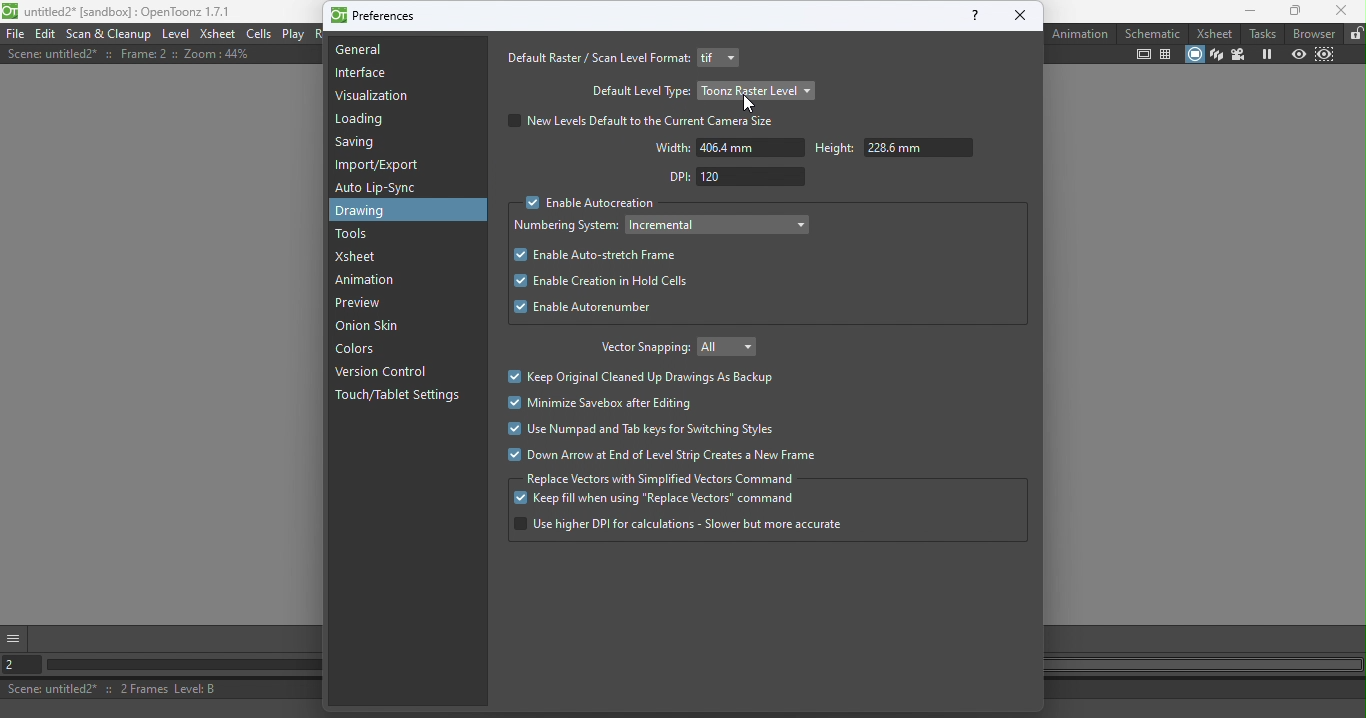 The width and height of the screenshot is (1366, 718). What do you see at coordinates (1211, 32) in the screenshot?
I see `Xsheet` at bounding box center [1211, 32].